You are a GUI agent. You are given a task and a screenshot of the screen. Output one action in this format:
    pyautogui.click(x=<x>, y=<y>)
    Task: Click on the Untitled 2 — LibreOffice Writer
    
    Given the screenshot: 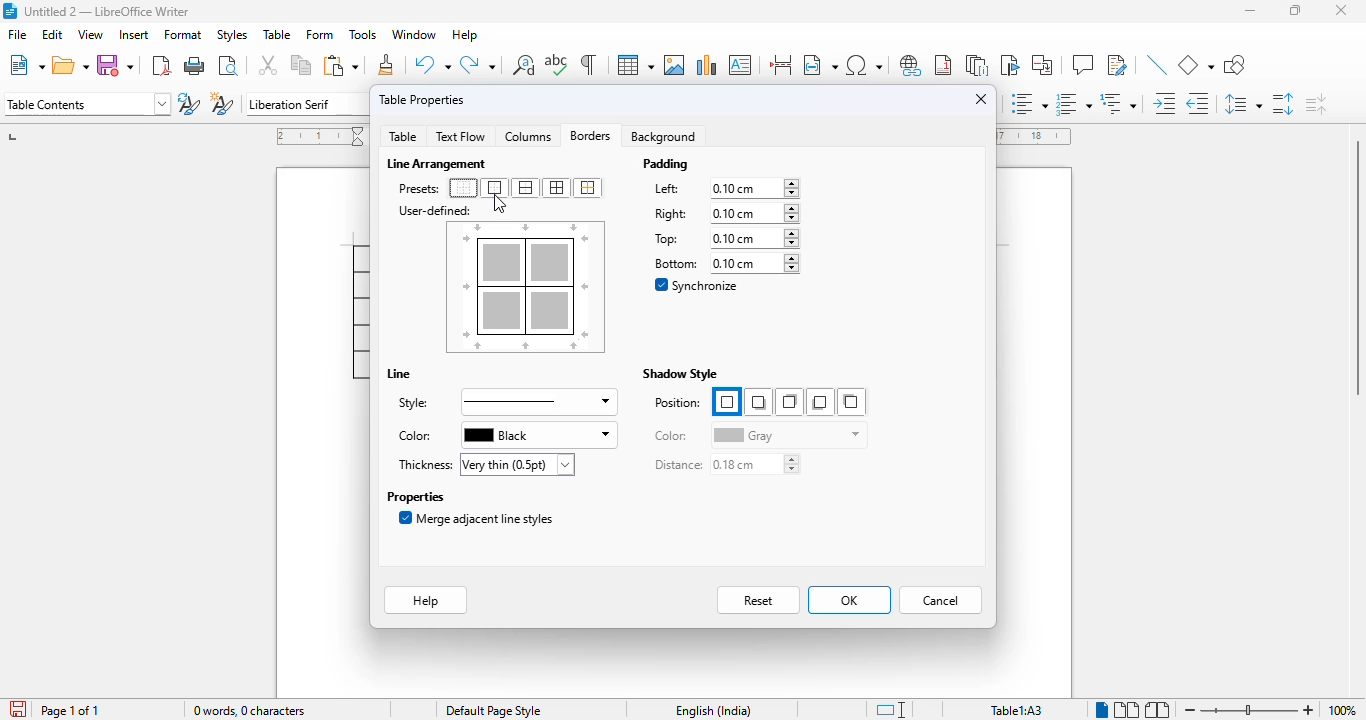 What is the action you would take?
    pyautogui.click(x=111, y=11)
    